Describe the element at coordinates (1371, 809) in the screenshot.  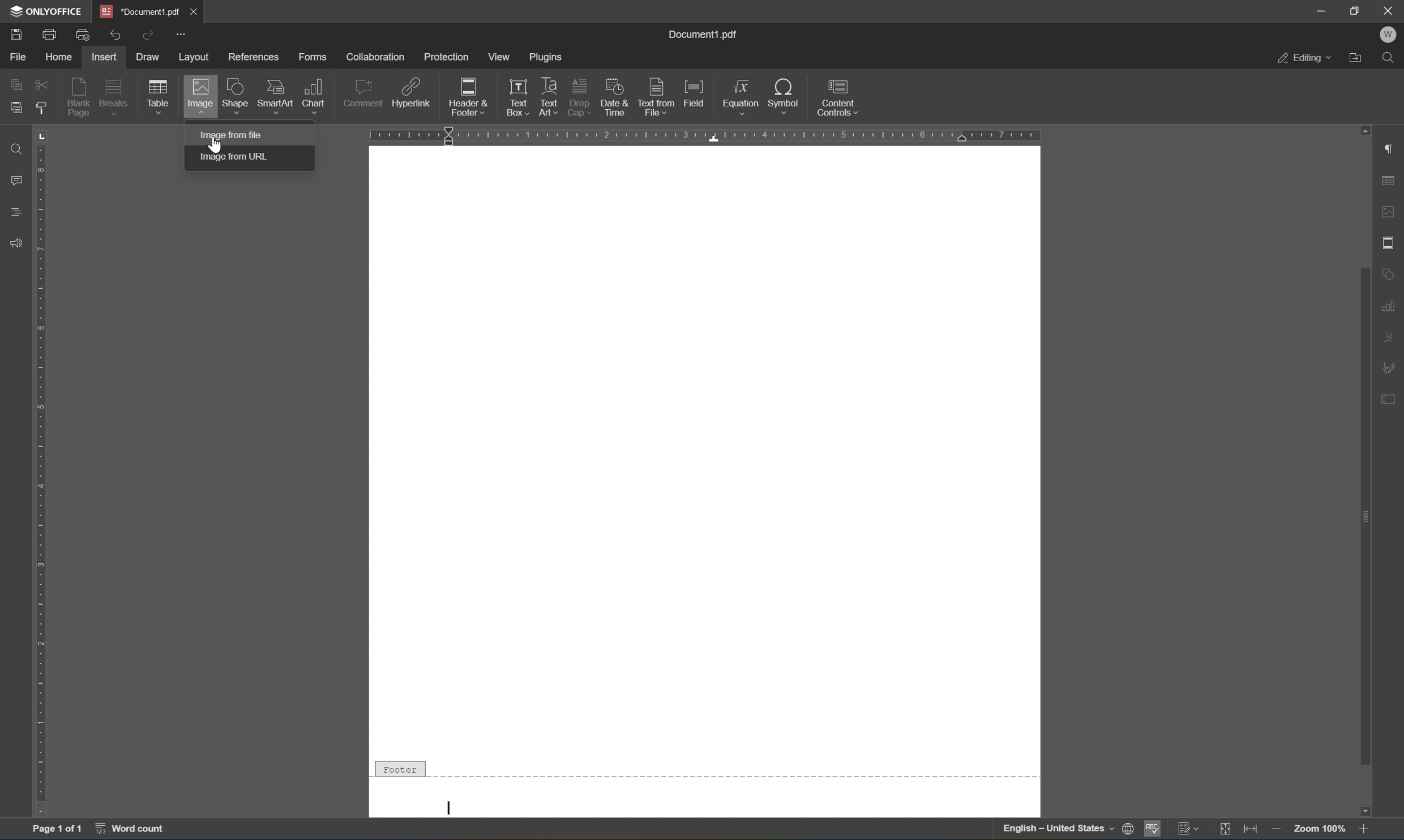
I see `` at that location.